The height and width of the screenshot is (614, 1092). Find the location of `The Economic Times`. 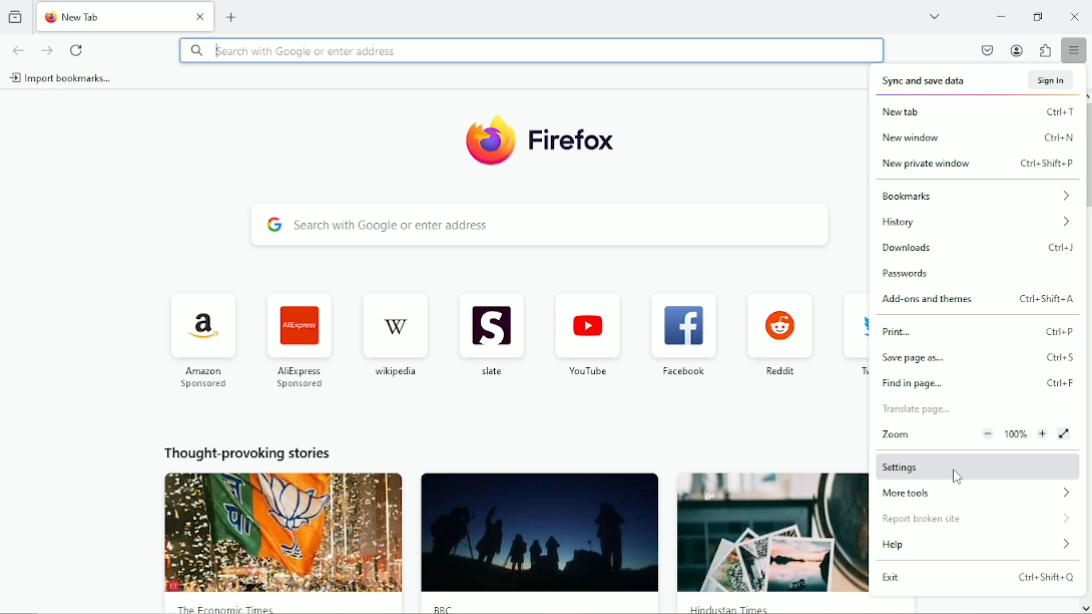

The Economic Times is located at coordinates (225, 608).